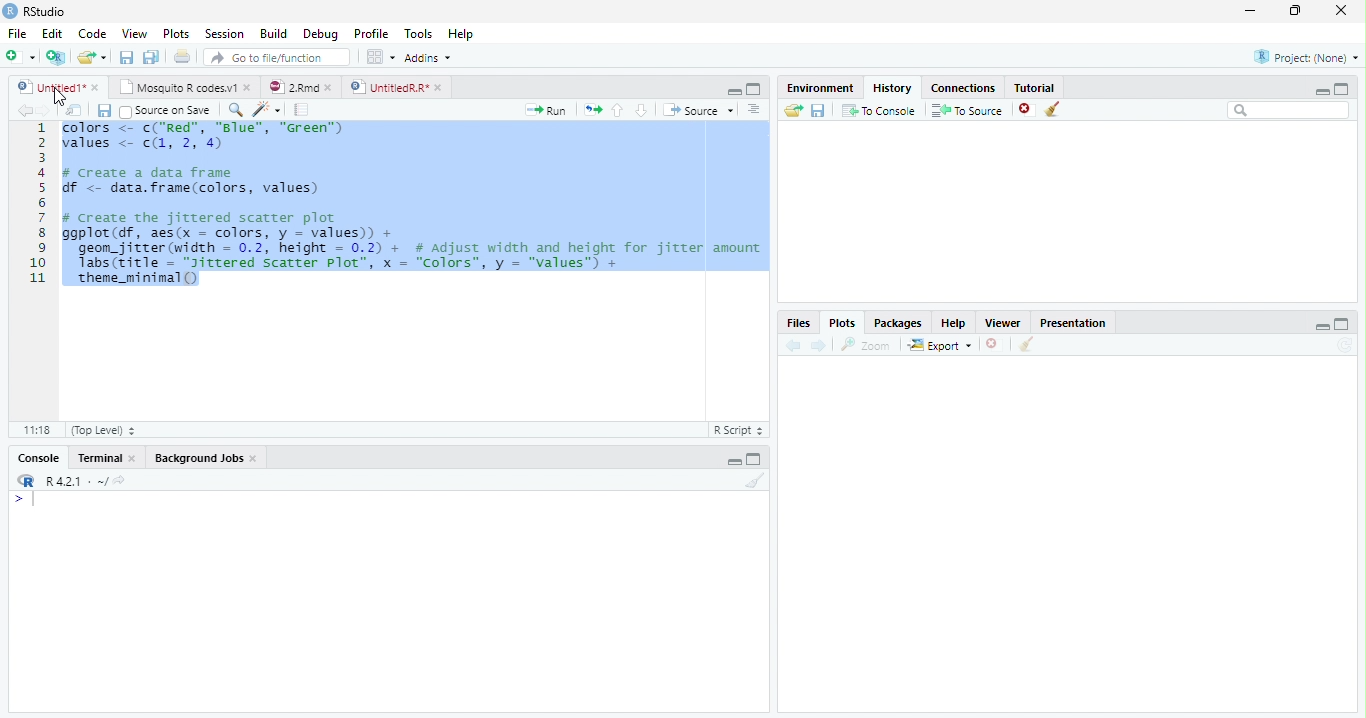  Describe the element at coordinates (799, 323) in the screenshot. I see `Files` at that location.